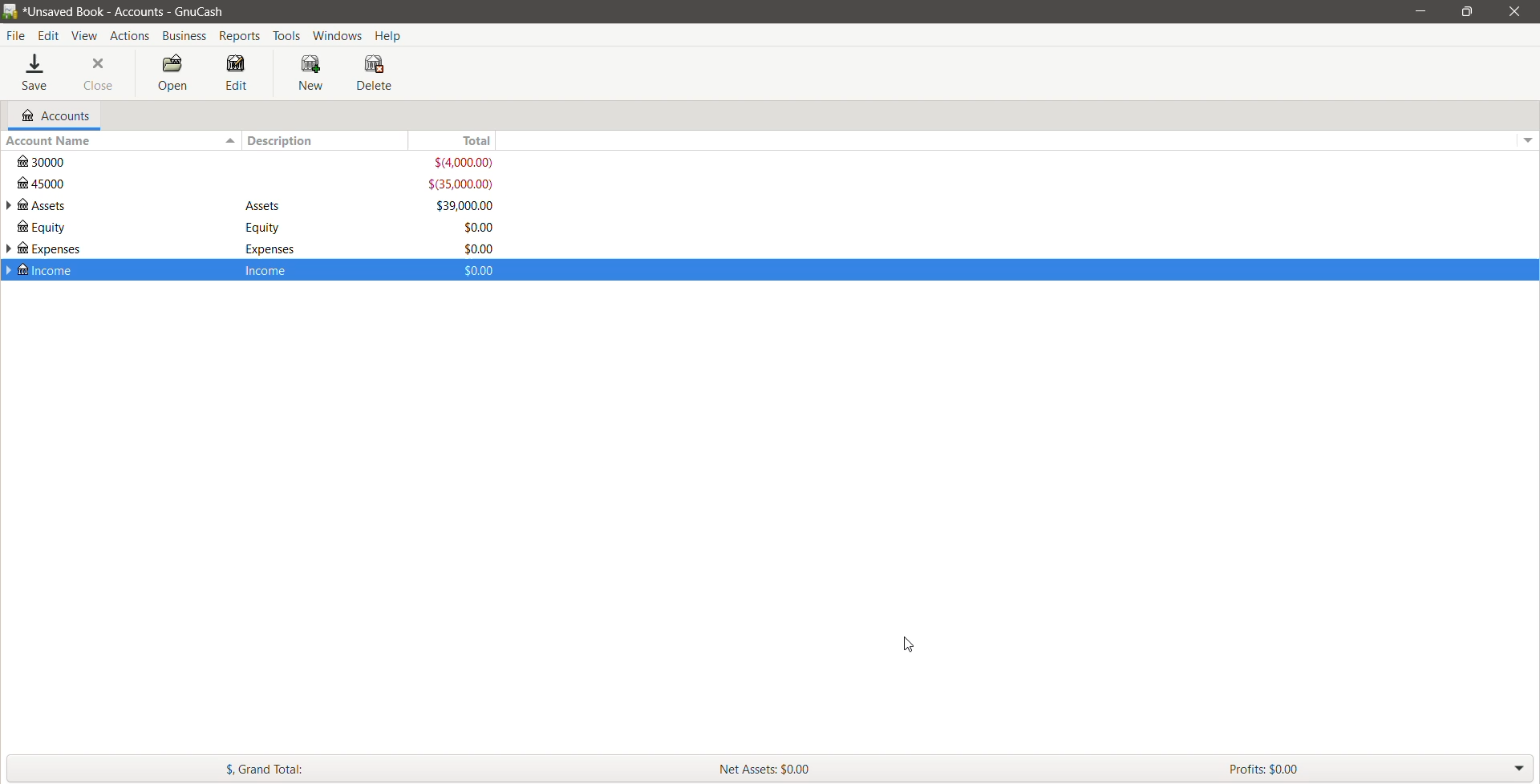  Describe the element at coordinates (376, 73) in the screenshot. I see `Delete` at that location.